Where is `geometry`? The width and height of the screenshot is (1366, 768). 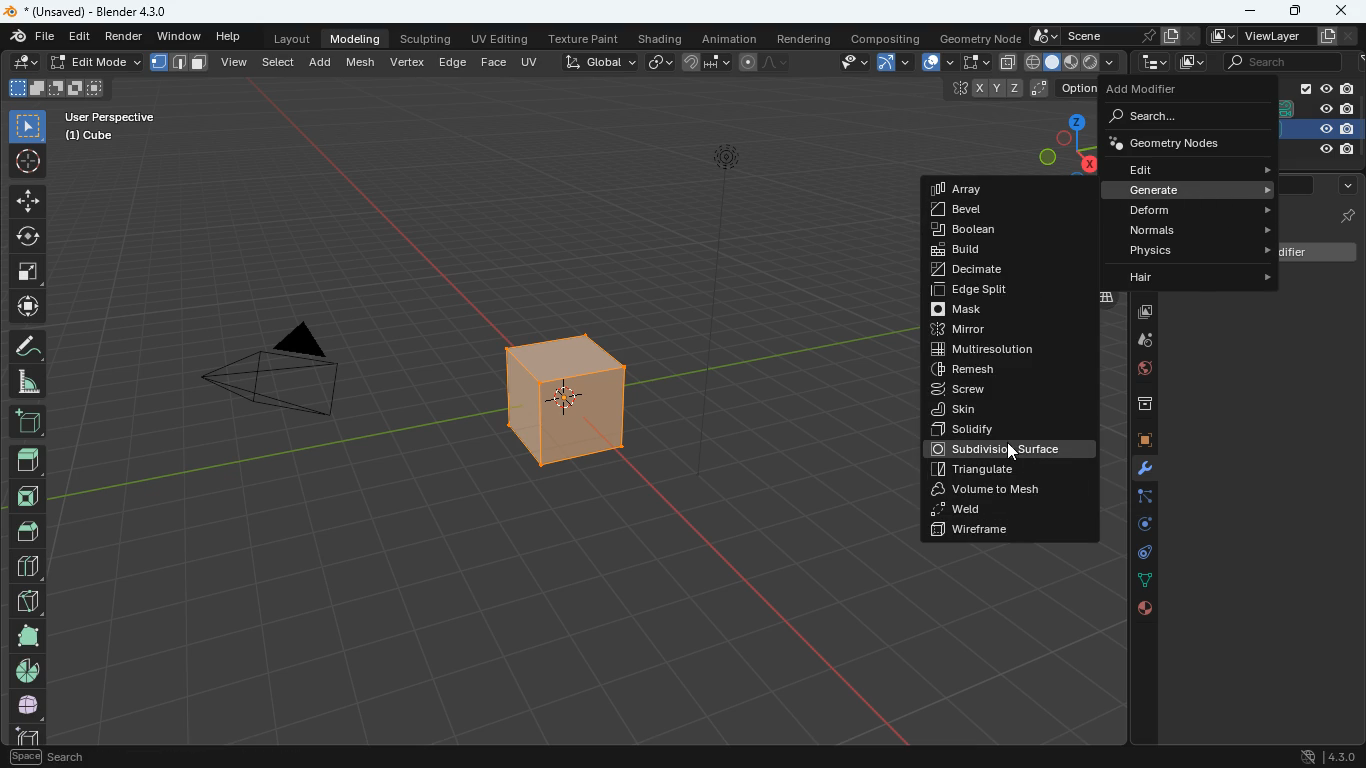 geometry is located at coordinates (1181, 143).